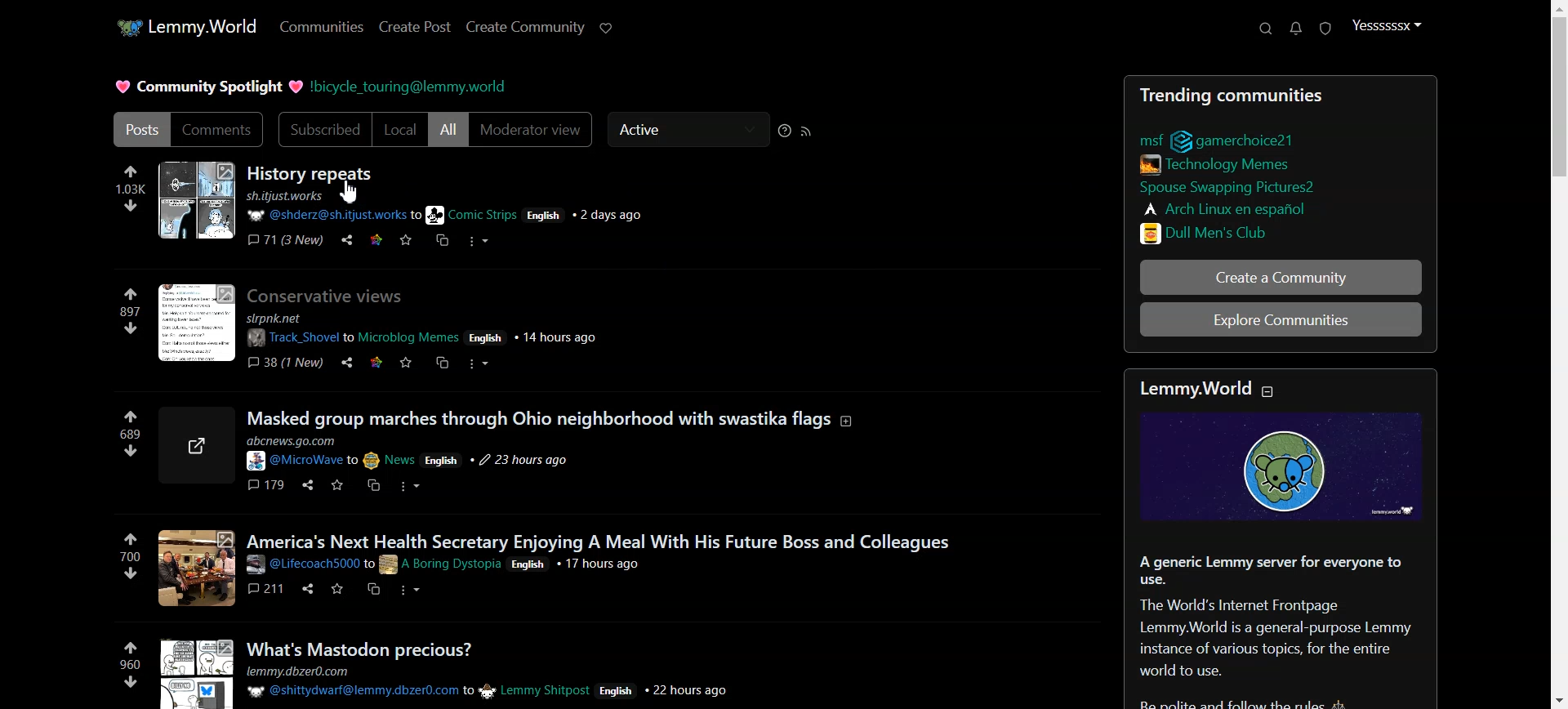 This screenshot has width=1568, height=709. What do you see at coordinates (307, 590) in the screenshot?
I see `Share` at bounding box center [307, 590].